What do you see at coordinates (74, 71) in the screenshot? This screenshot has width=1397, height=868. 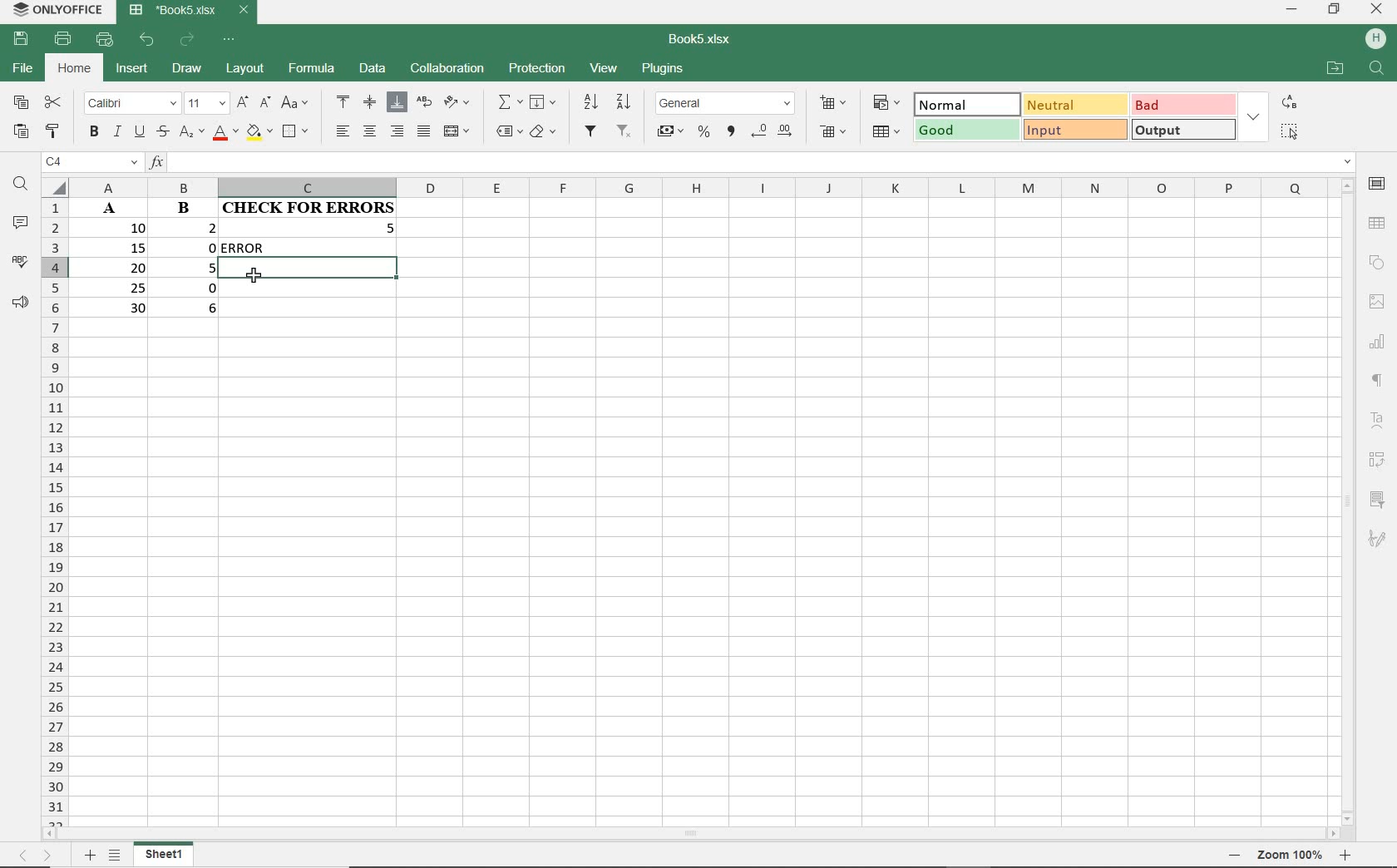 I see `HOME` at bounding box center [74, 71].